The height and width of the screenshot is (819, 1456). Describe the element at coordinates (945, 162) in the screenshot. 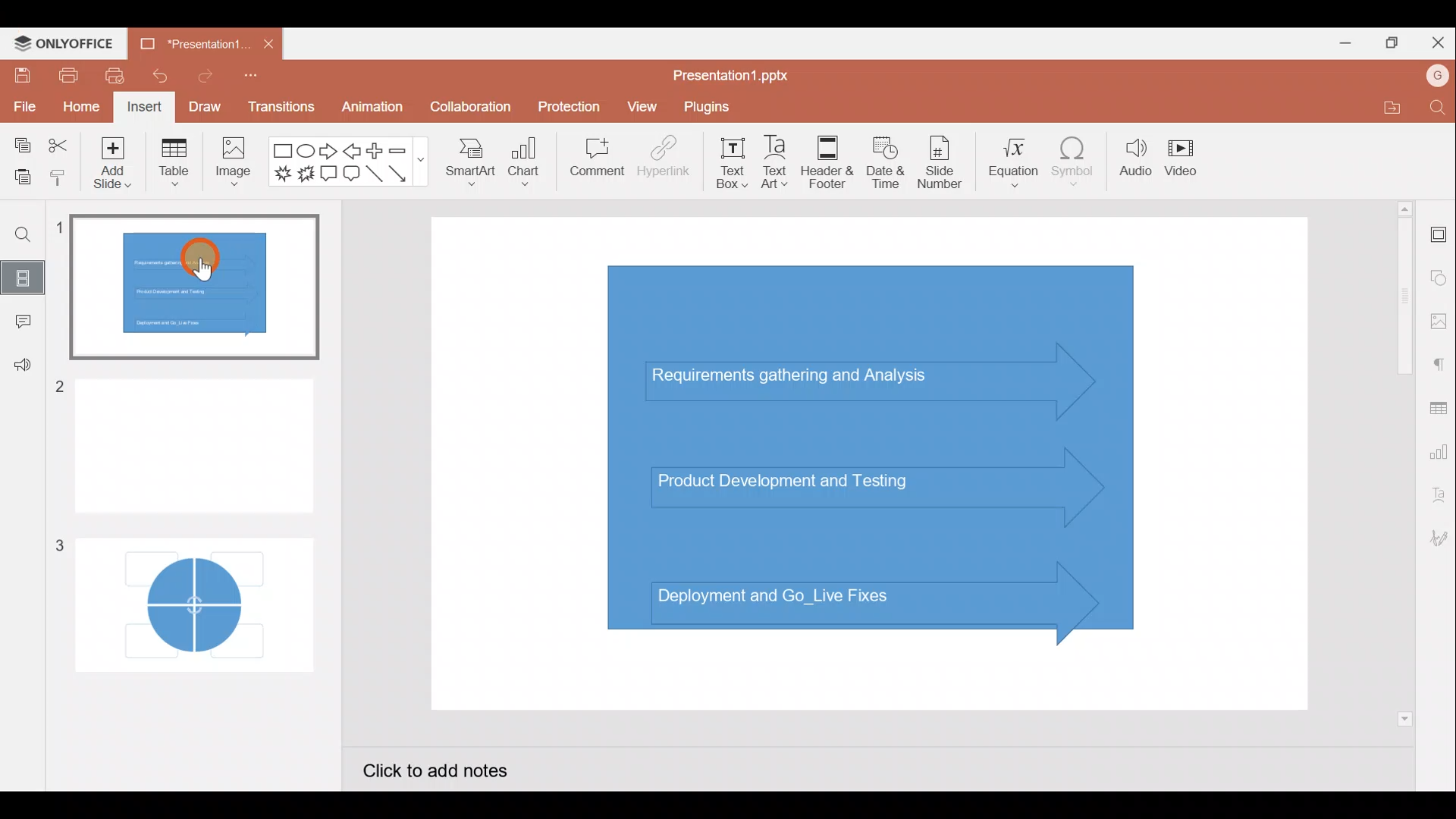

I see `Slide number` at that location.